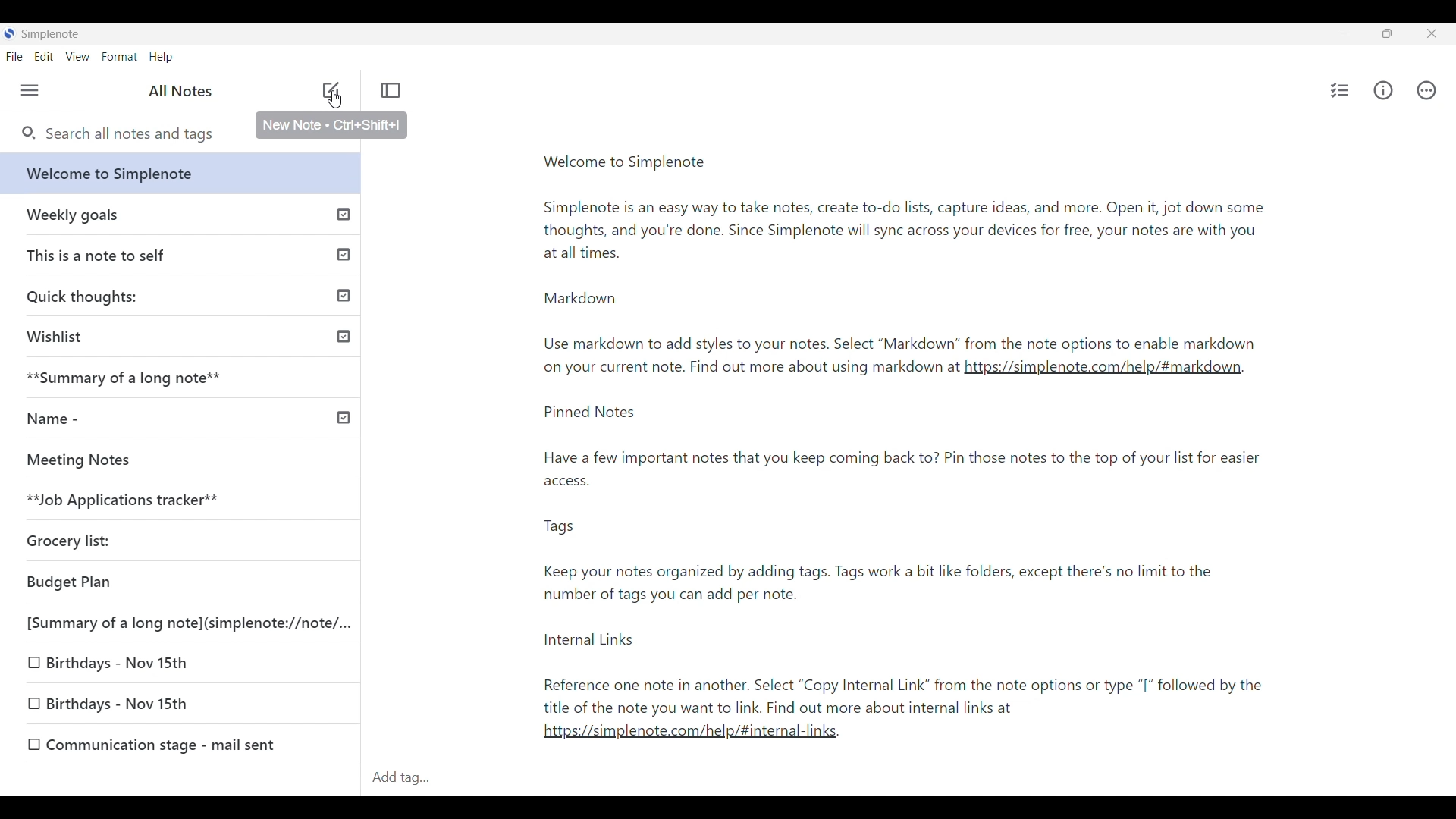 Image resolution: width=1456 pixels, height=819 pixels. I want to click on Unpublished note, so click(188, 743).